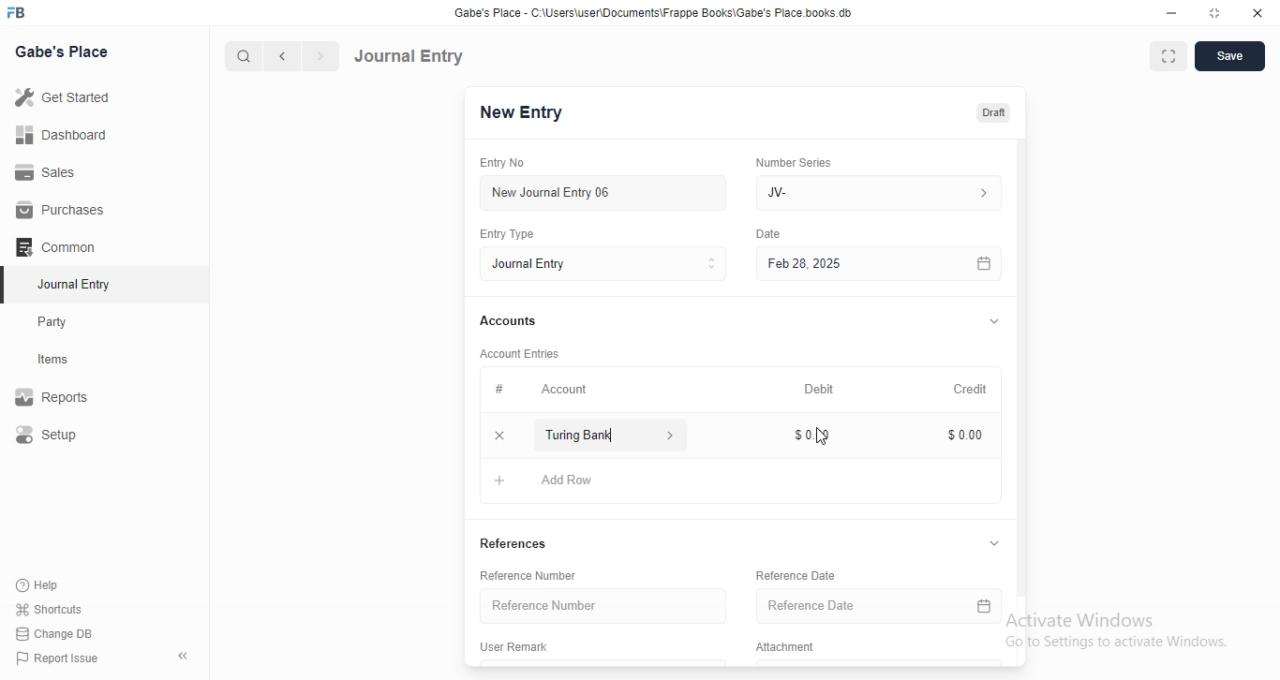 The height and width of the screenshot is (680, 1280). What do you see at coordinates (61, 585) in the screenshot?
I see `‘Help` at bounding box center [61, 585].